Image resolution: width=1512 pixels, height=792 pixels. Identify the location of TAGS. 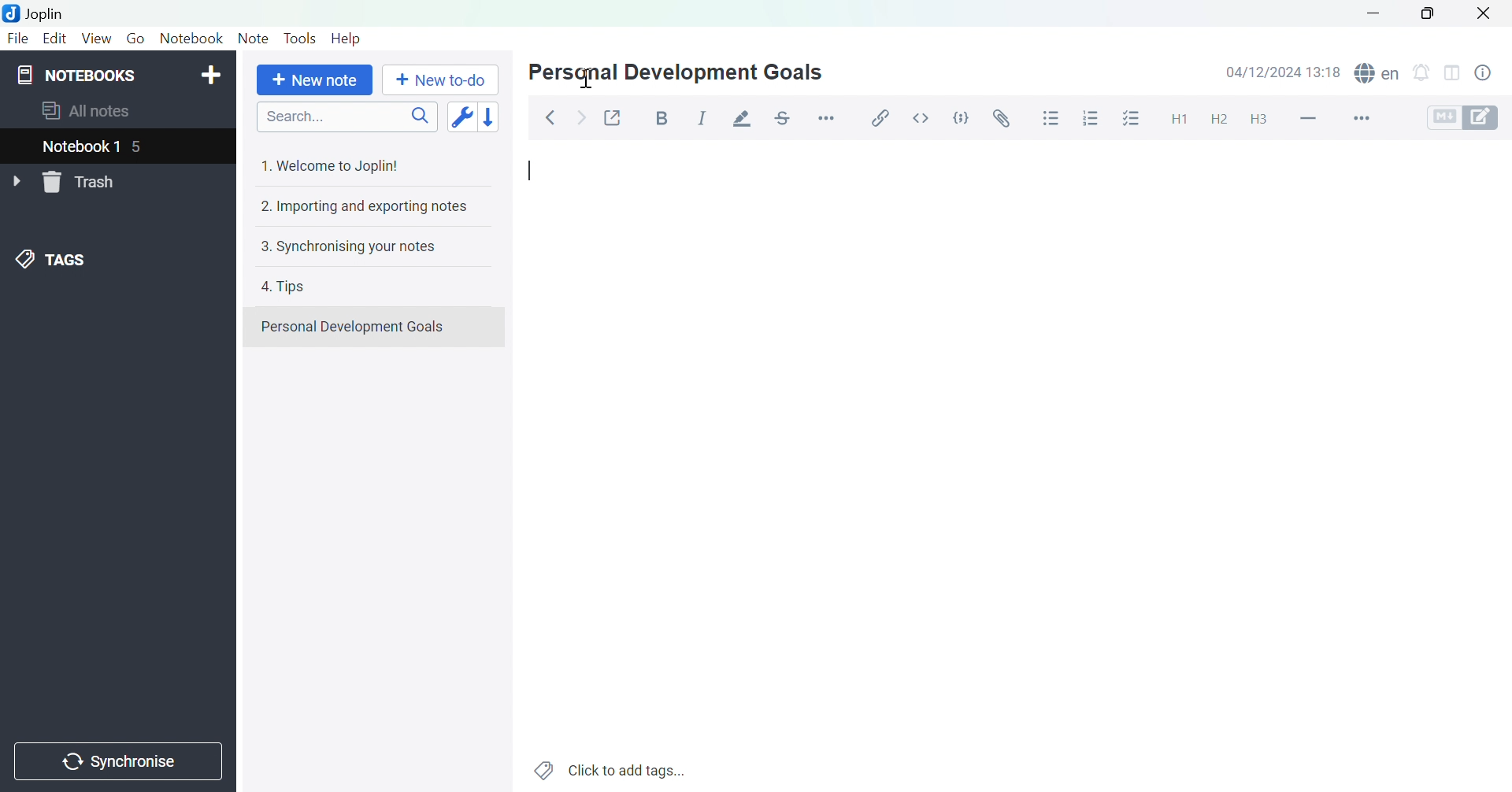
(54, 258).